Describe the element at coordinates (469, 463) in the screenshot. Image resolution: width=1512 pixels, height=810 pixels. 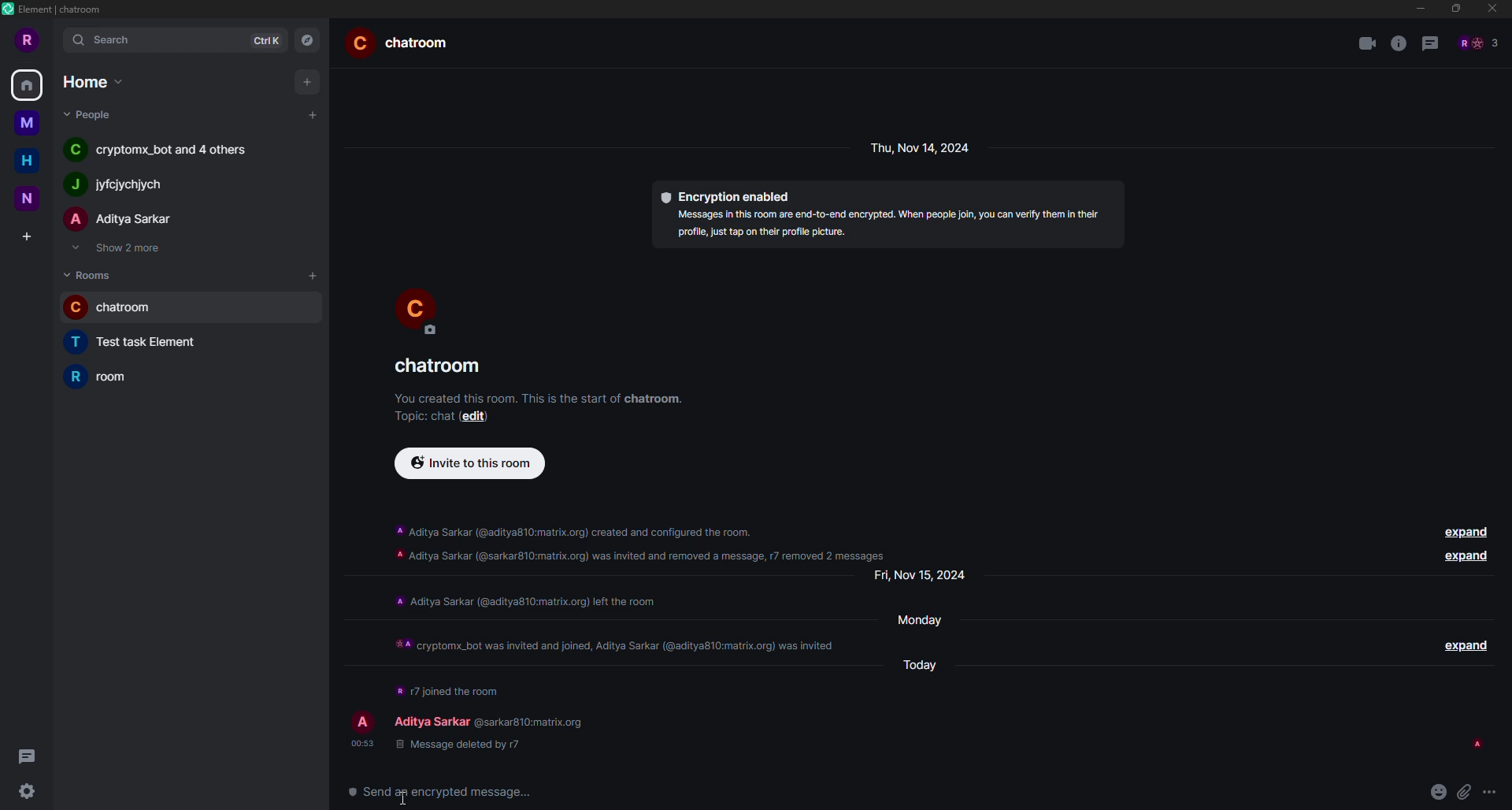
I see `invite to this room` at that location.